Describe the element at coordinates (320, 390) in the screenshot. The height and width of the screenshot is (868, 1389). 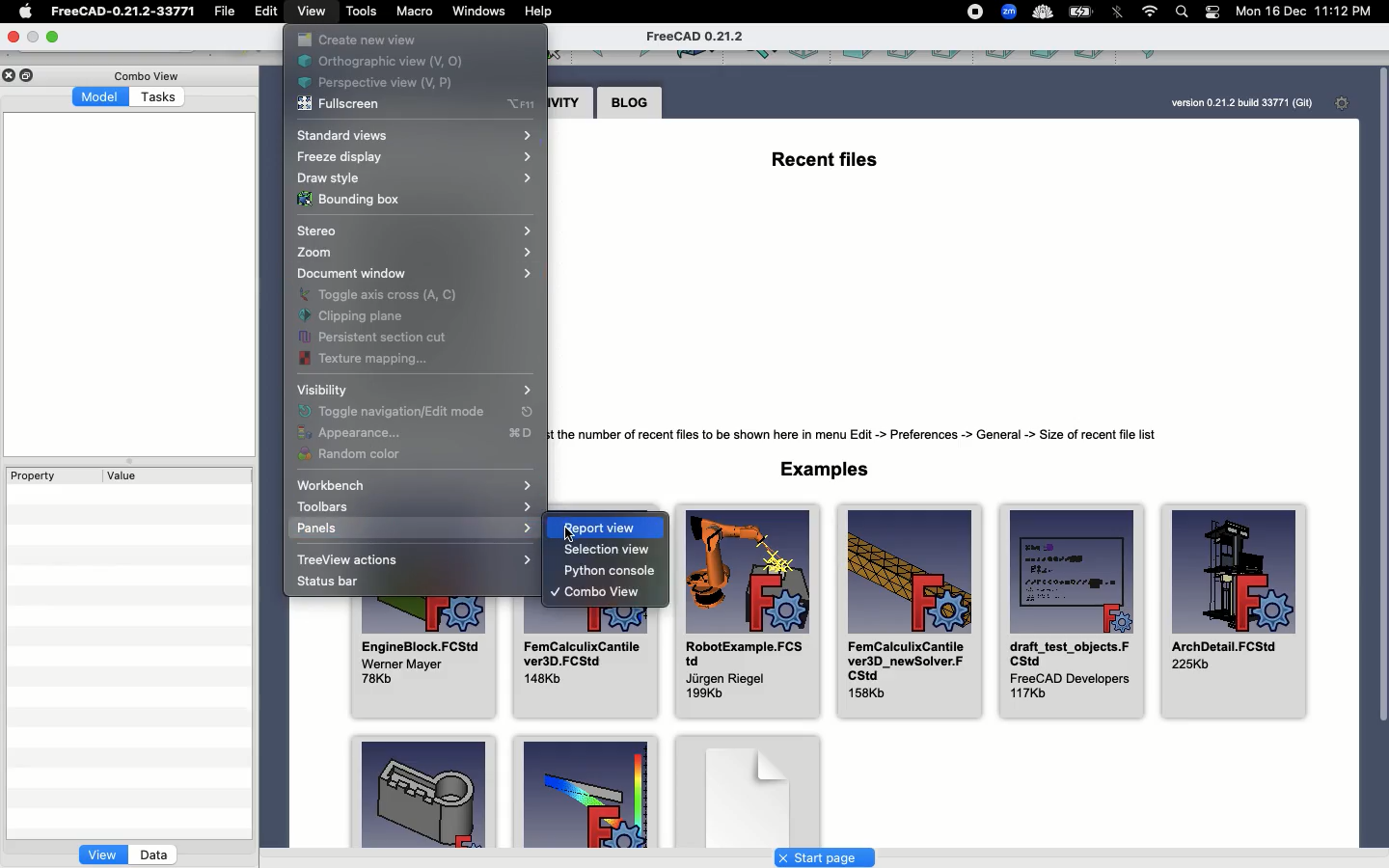
I see `Visibility` at that location.